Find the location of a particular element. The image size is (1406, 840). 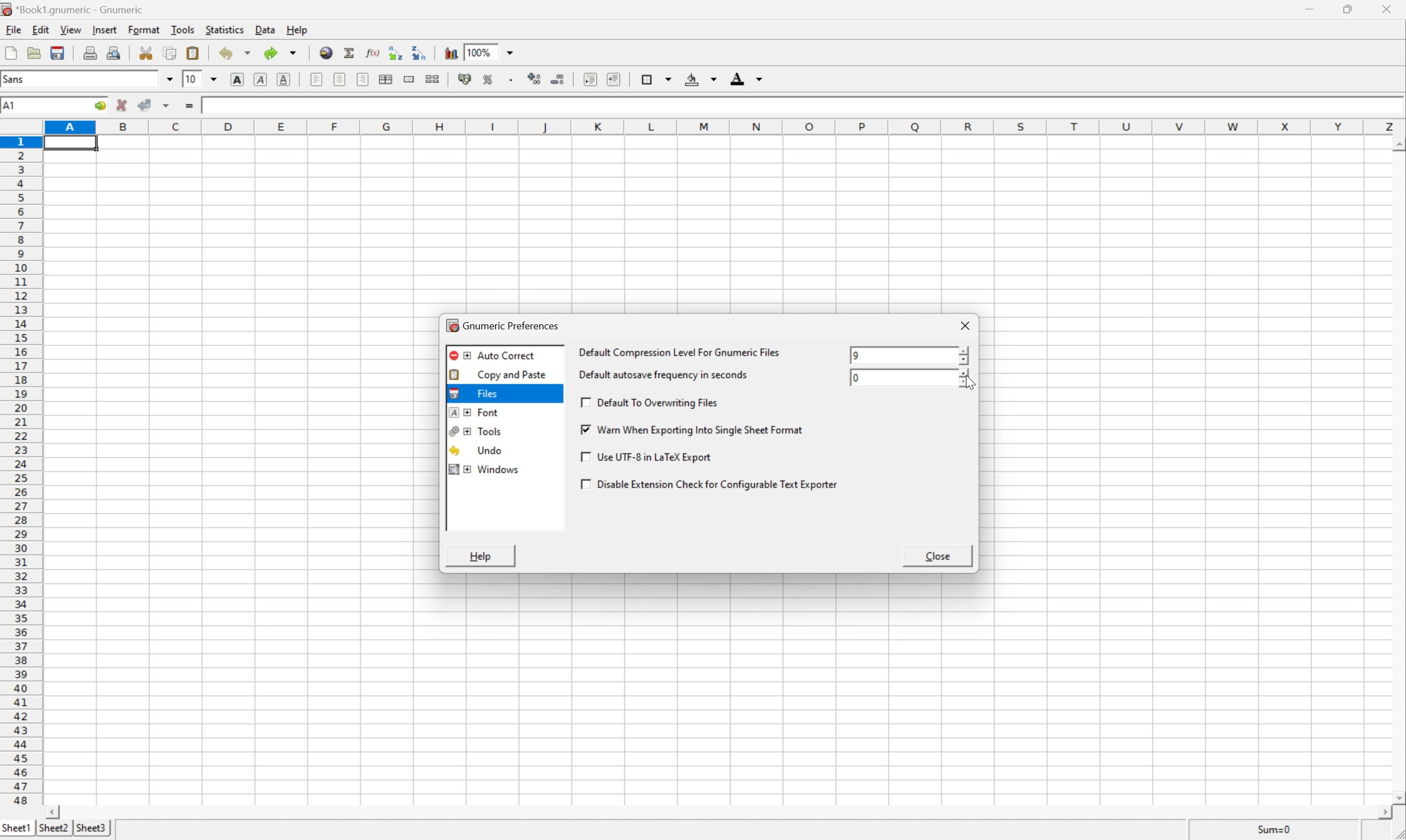

scroll down is located at coordinates (1397, 798).